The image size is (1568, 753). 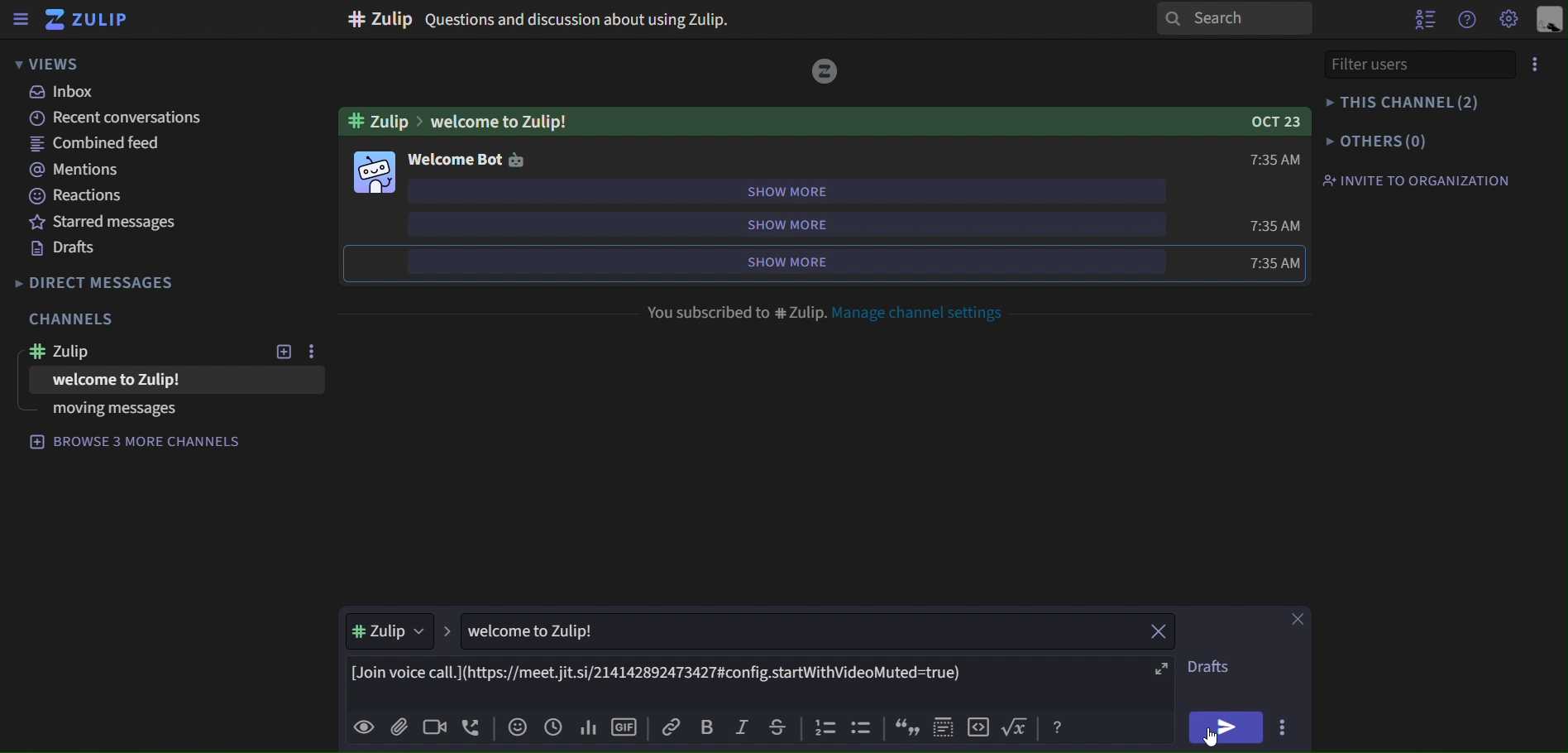 What do you see at coordinates (668, 727) in the screenshot?
I see `copy link` at bounding box center [668, 727].